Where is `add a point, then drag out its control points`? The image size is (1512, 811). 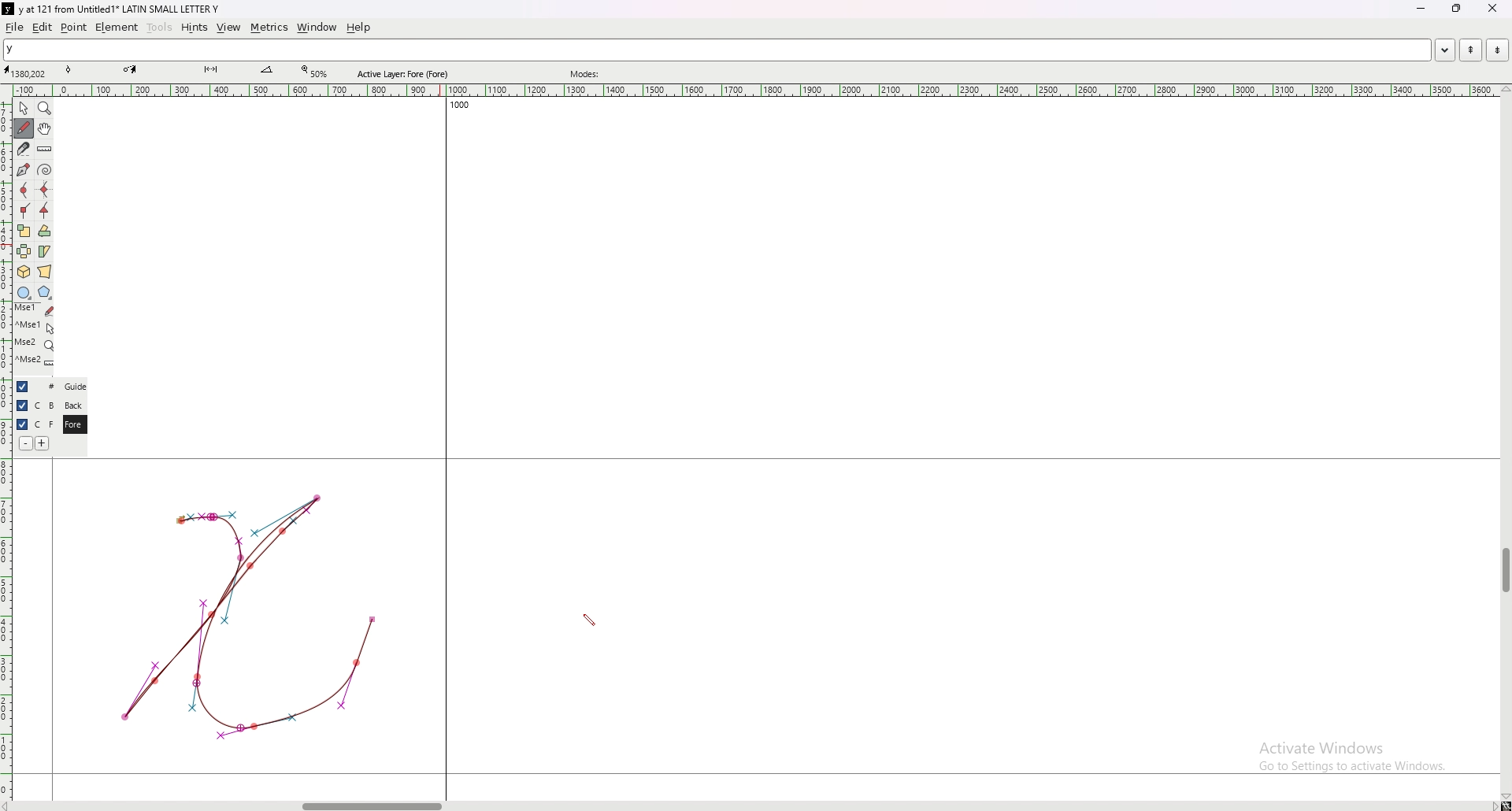
add a point, then drag out its control points is located at coordinates (22, 168).